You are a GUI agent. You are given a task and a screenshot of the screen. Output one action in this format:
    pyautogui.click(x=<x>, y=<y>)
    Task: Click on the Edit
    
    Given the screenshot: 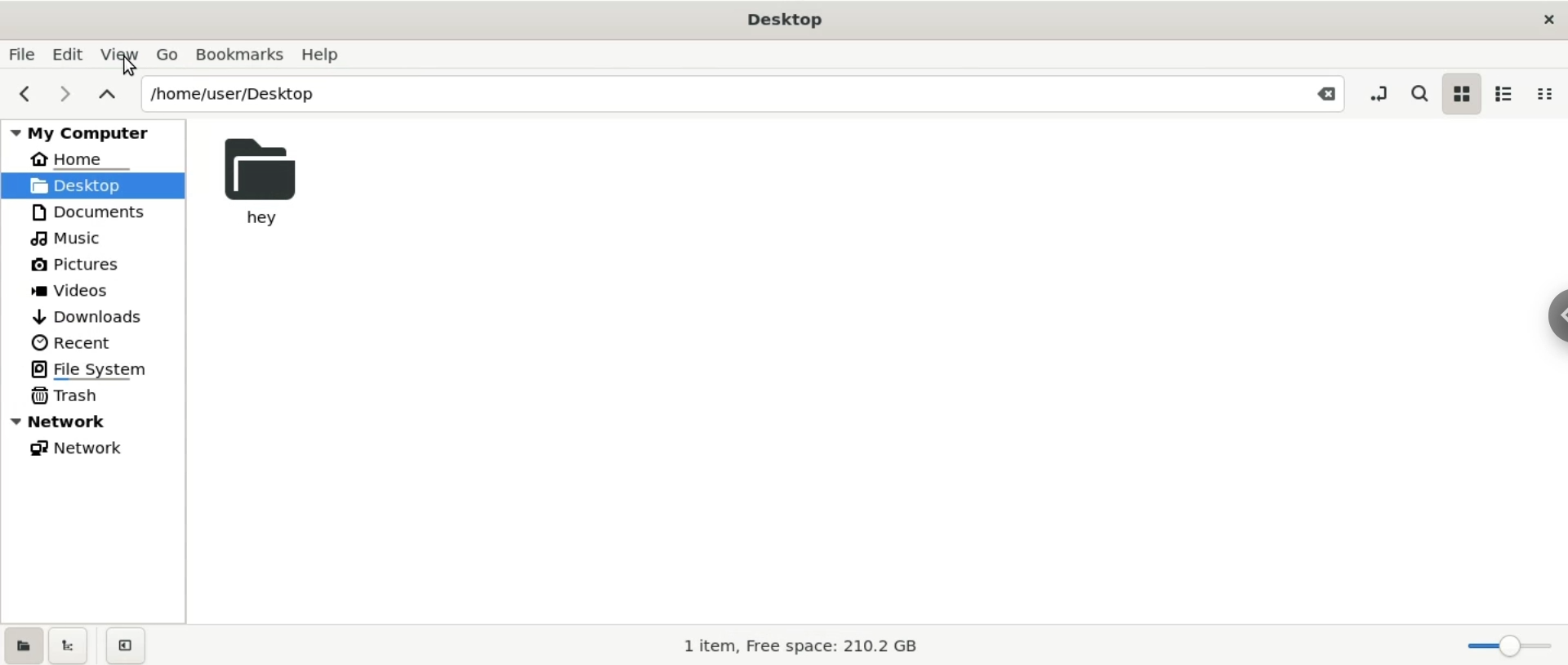 What is the action you would take?
    pyautogui.click(x=65, y=53)
    